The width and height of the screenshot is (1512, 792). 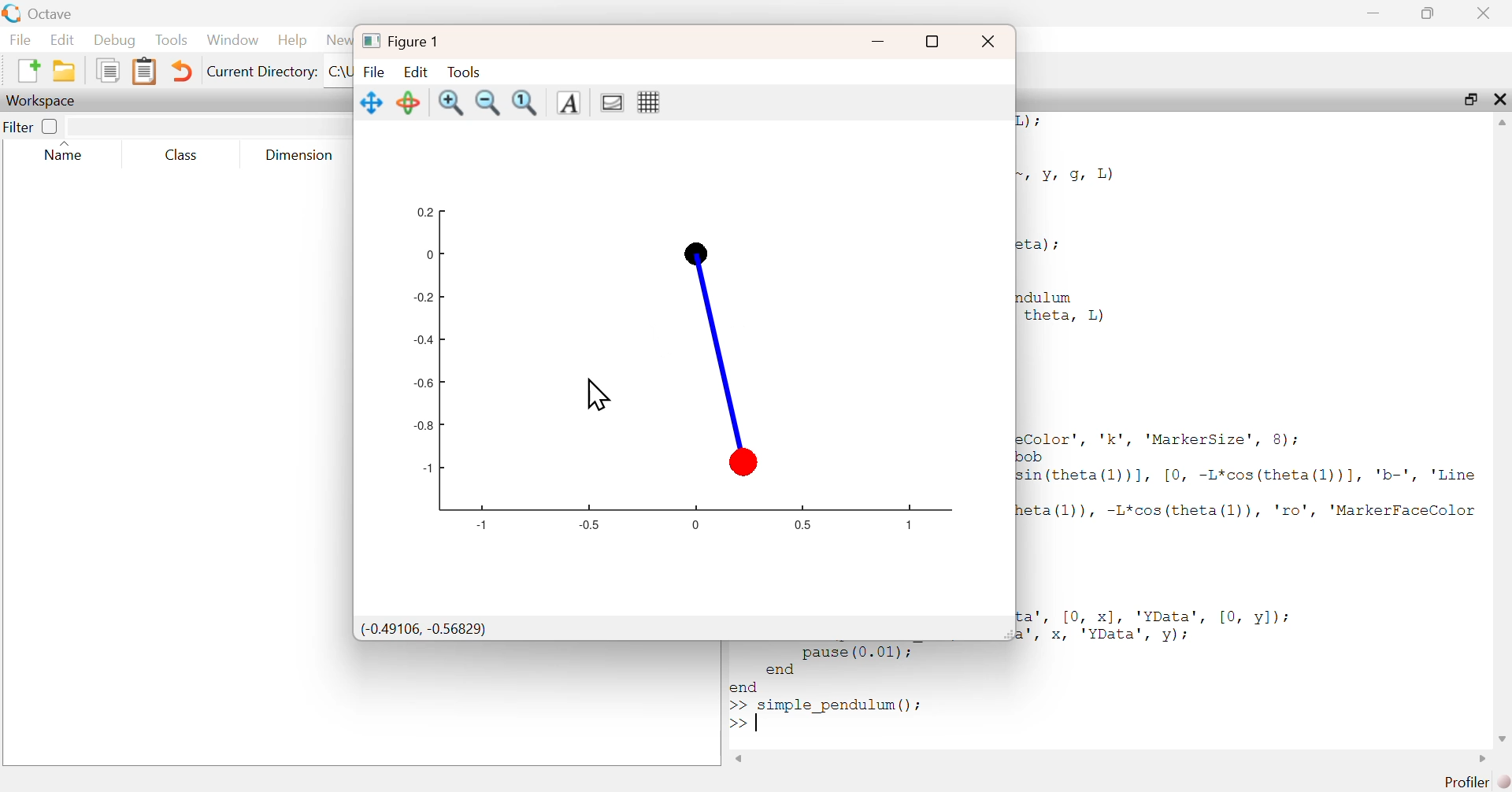 What do you see at coordinates (1249, 377) in the screenshot?
I see `2) i

Yr 9, 1)

ta) ;

1dulum

theta, L)

Color’, 'k', 'MarkerSize', 8);

ob

sin (theta(1))], [0, -L*cos(theta(1l))], 'b-', 'Line
eta (l)), -L*cos(theta(l)), 'ro', 'MarkerFaceColor
ca’, [0, x], 'YData', [0, y]);

\', x, 'YData', vy):` at bounding box center [1249, 377].